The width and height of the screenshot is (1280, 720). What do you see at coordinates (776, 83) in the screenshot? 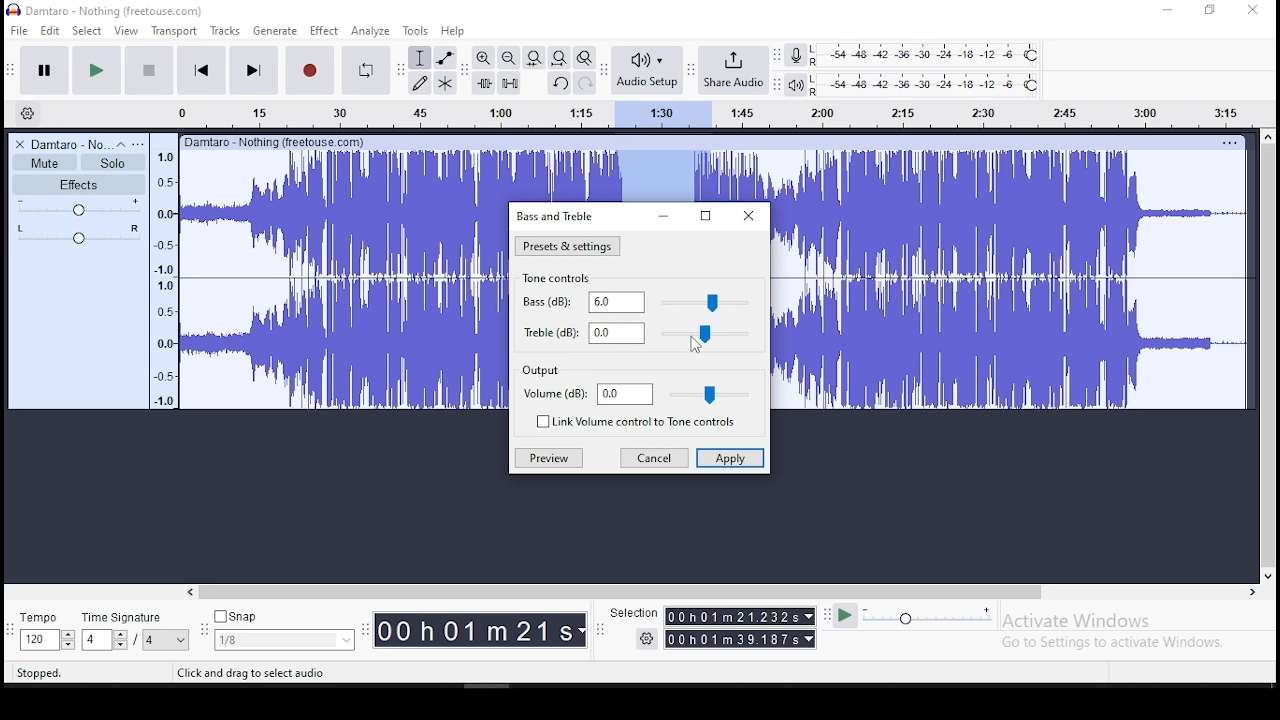
I see `` at bounding box center [776, 83].